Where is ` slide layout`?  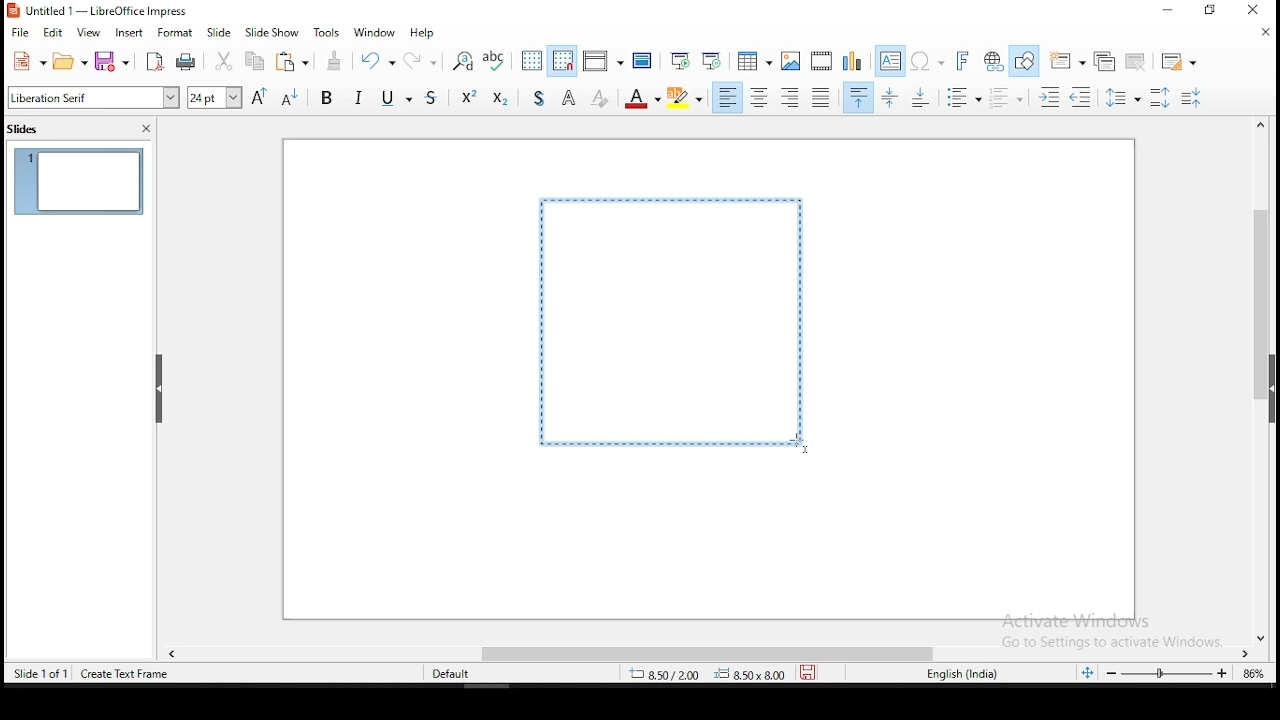
 slide layout is located at coordinates (1180, 60).